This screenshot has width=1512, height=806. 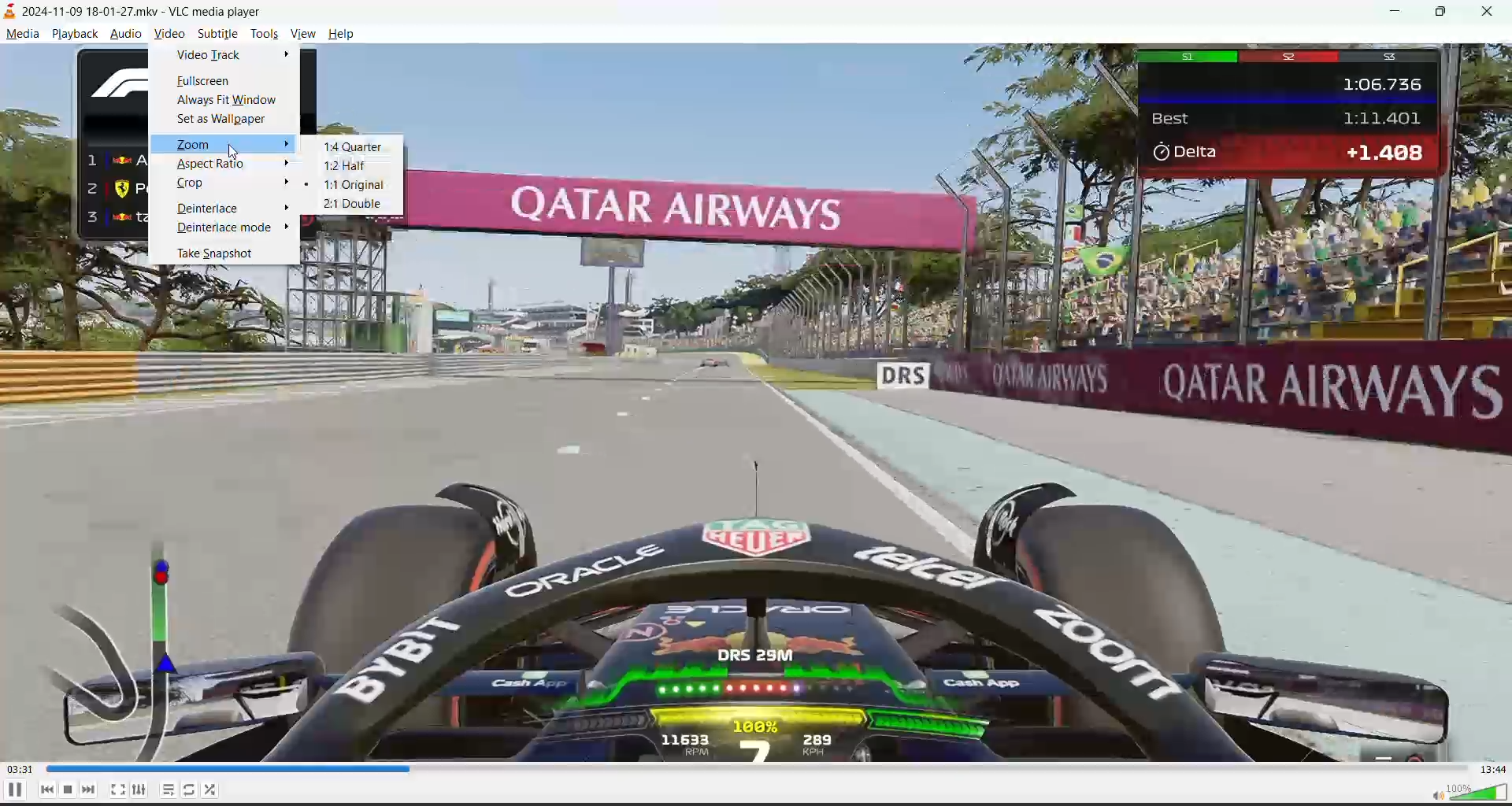 What do you see at coordinates (305, 34) in the screenshot?
I see `view` at bounding box center [305, 34].